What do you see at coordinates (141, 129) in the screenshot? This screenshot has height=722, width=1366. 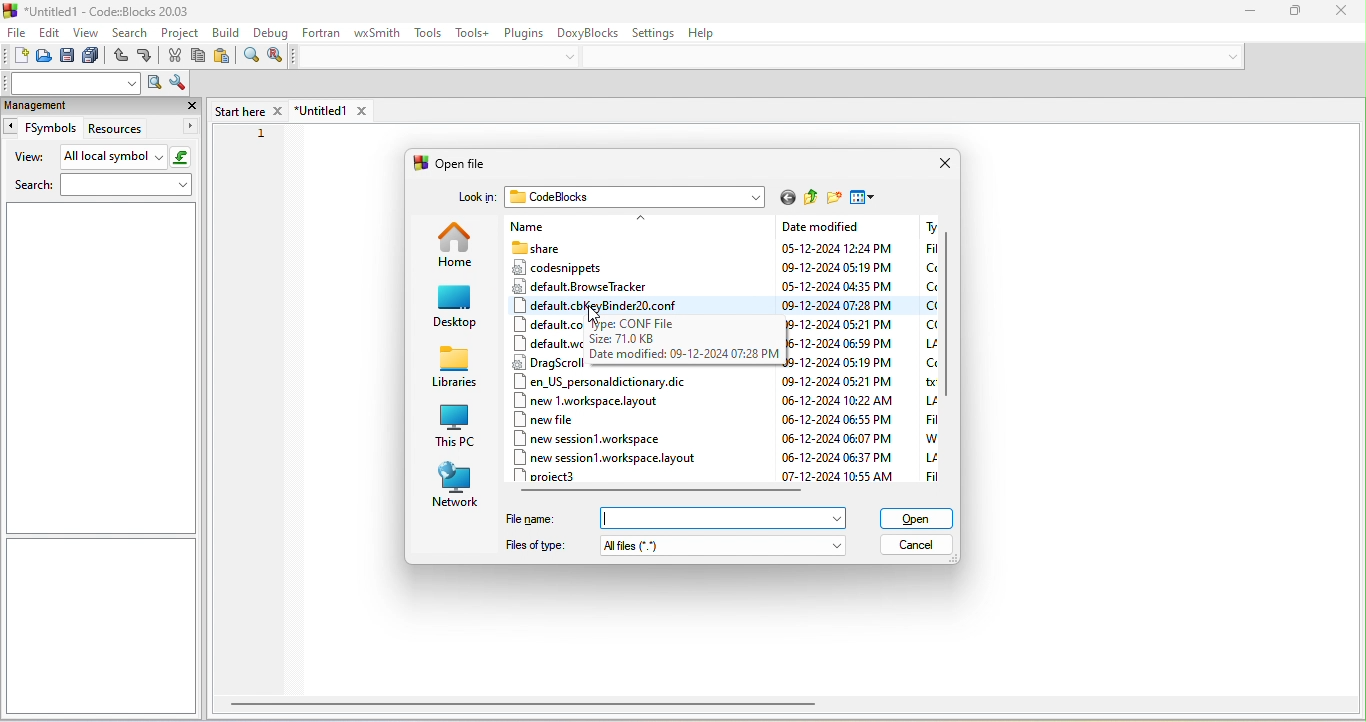 I see `resources` at bounding box center [141, 129].